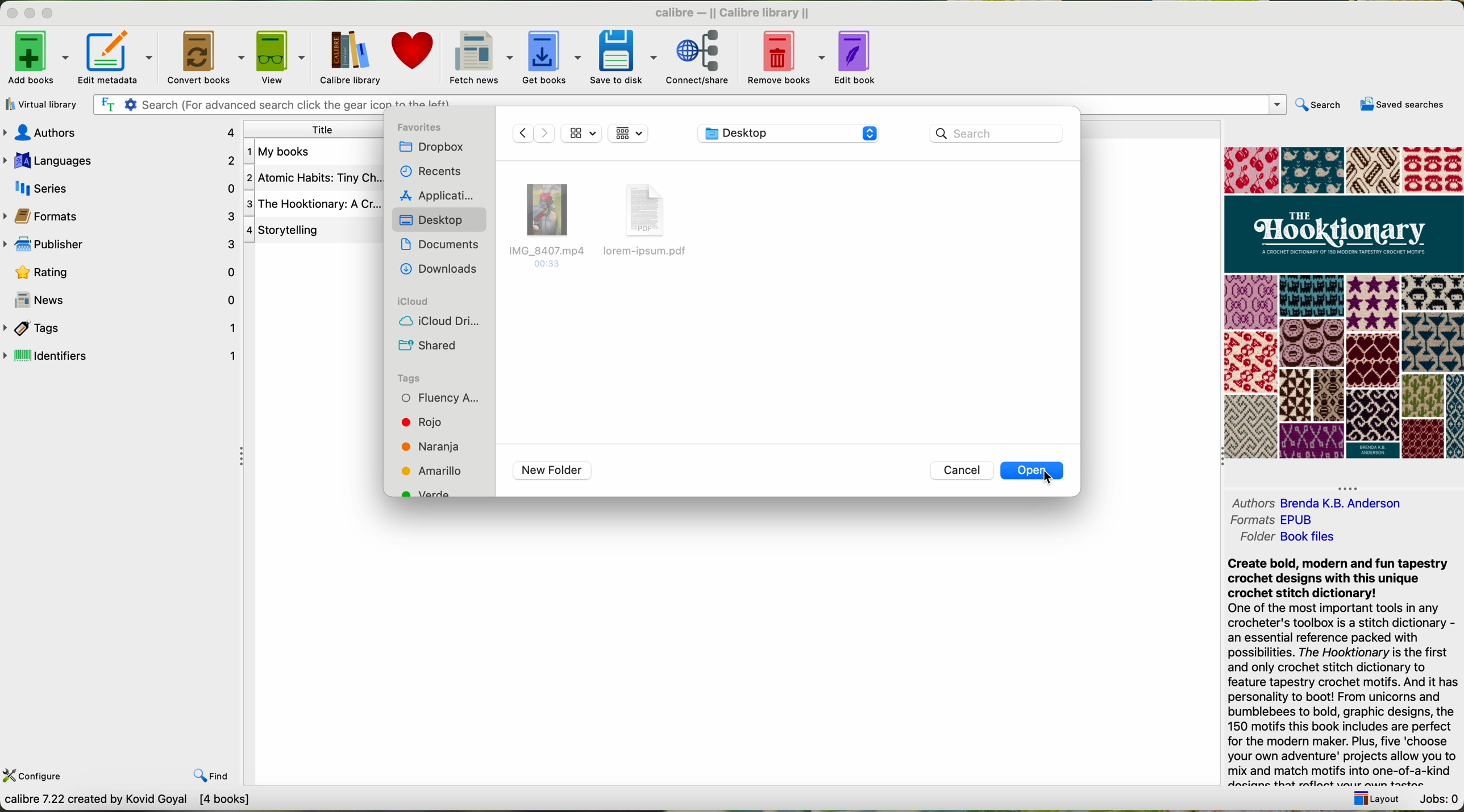 This screenshot has height=812, width=1464. I want to click on recents, so click(432, 172).